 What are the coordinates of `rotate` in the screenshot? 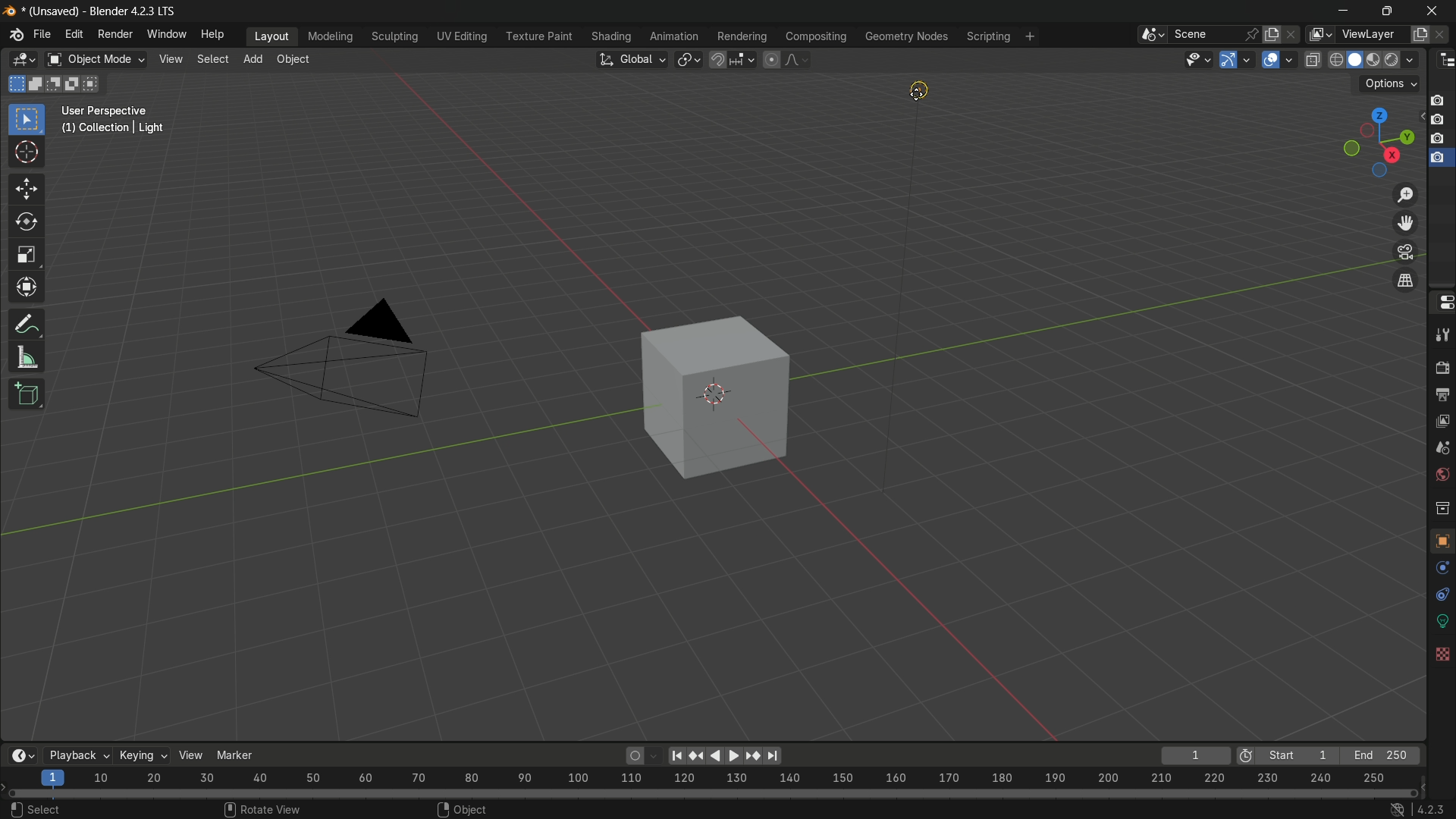 It's located at (28, 222).